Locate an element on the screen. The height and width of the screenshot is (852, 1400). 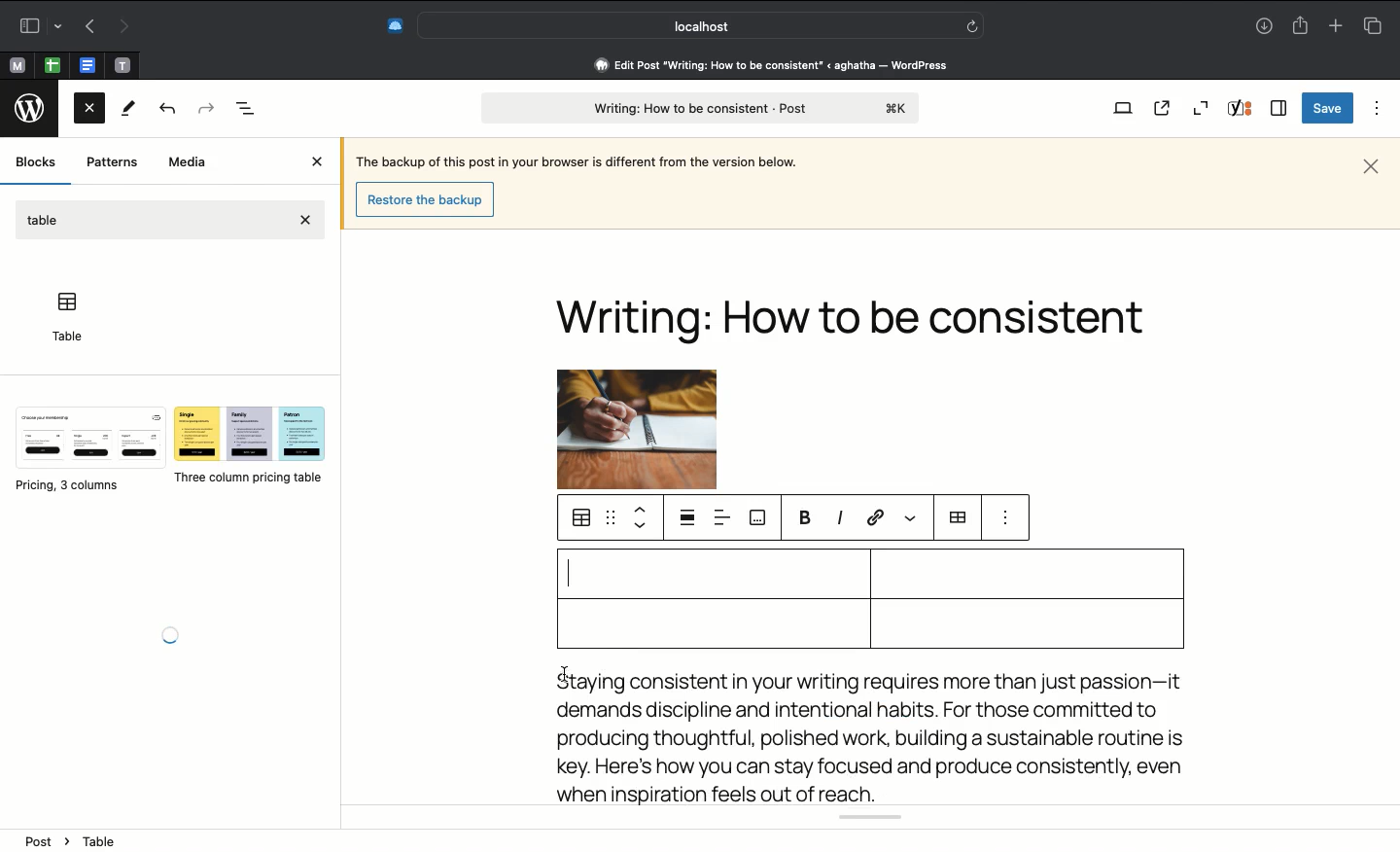
Table is located at coordinates (865, 597).